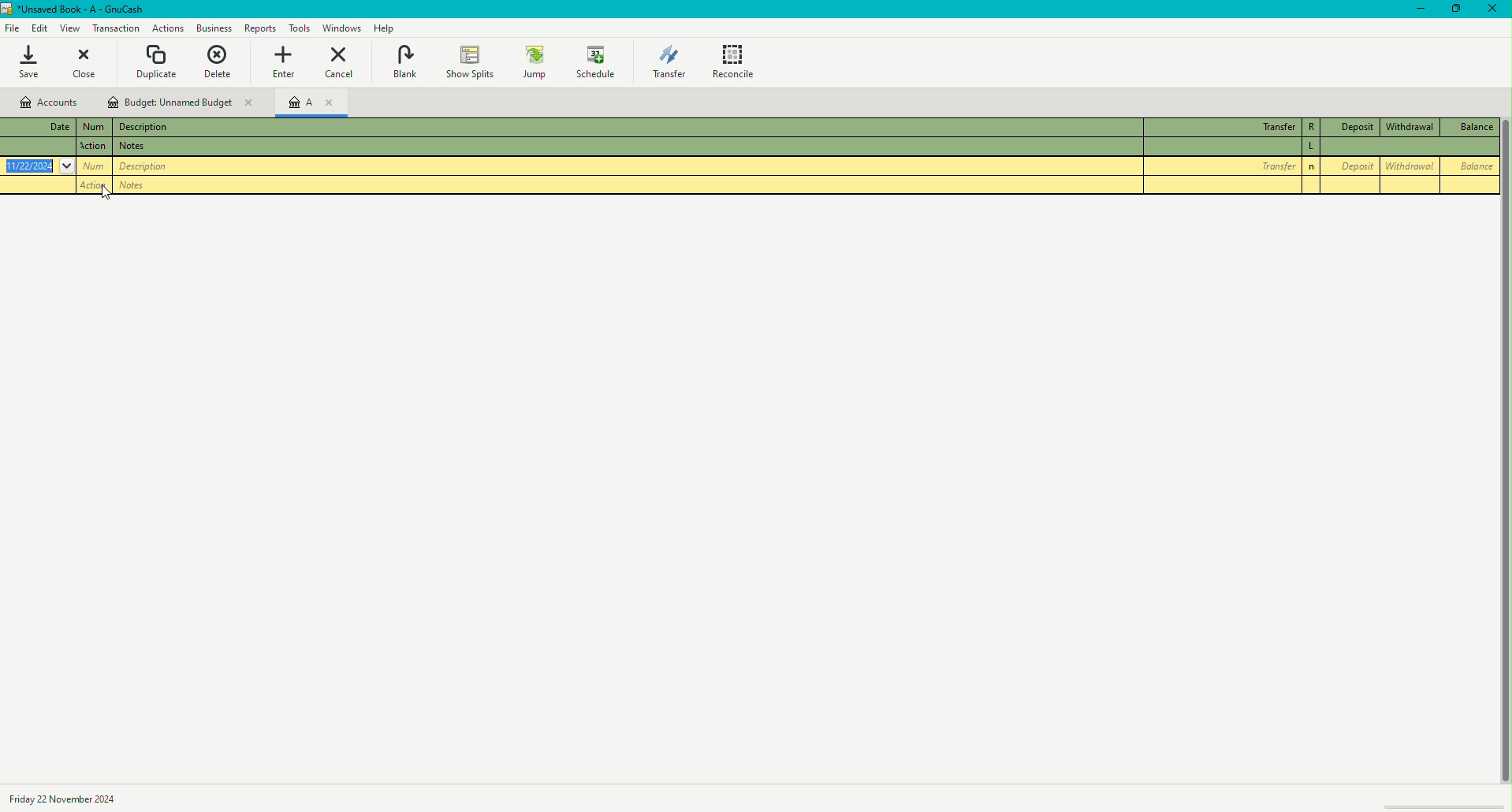  Describe the element at coordinates (93, 184) in the screenshot. I see `action` at that location.